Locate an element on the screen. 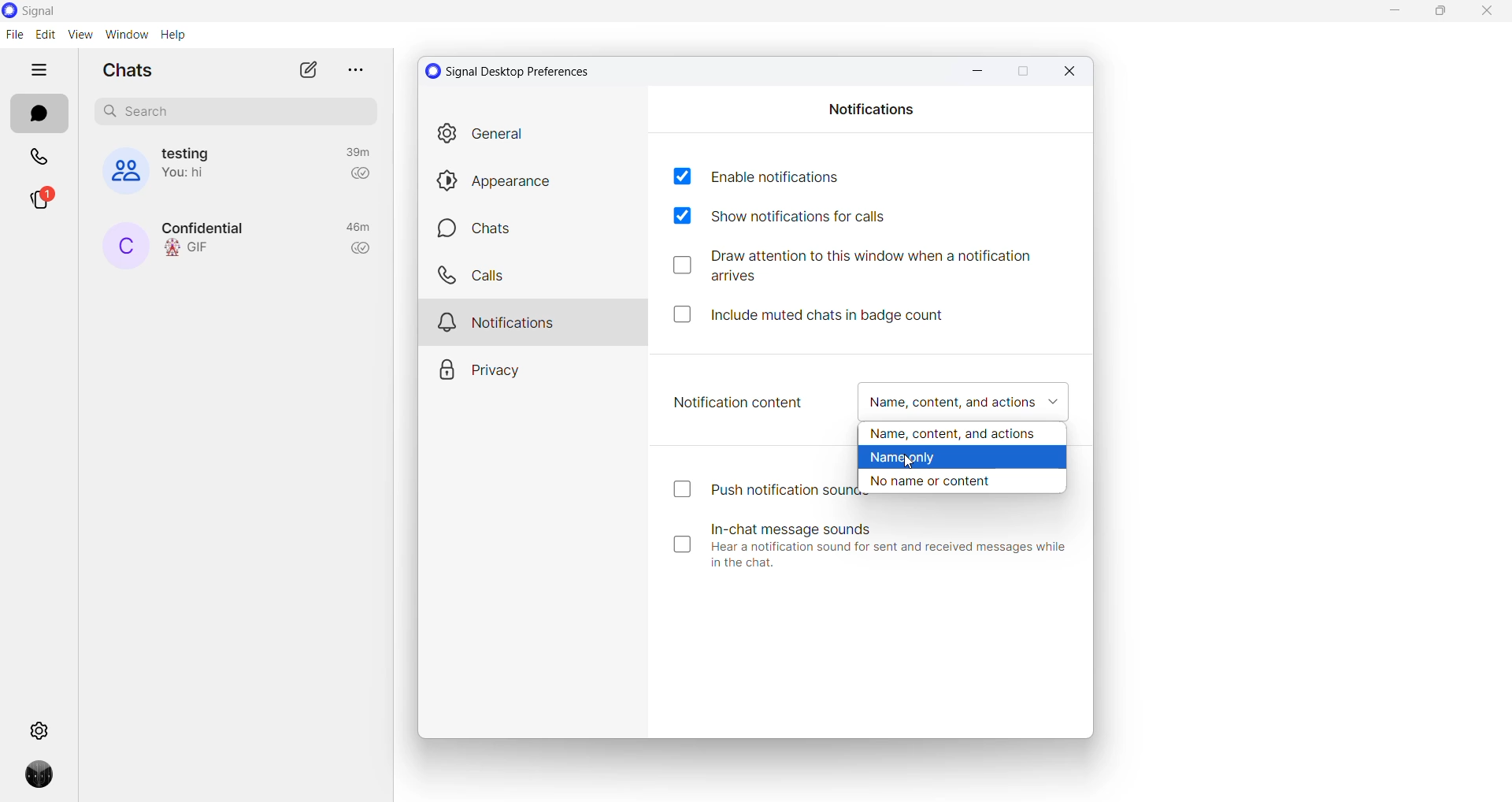 This screenshot has width=1512, height=802. stories is located at coordinates (39, 204).